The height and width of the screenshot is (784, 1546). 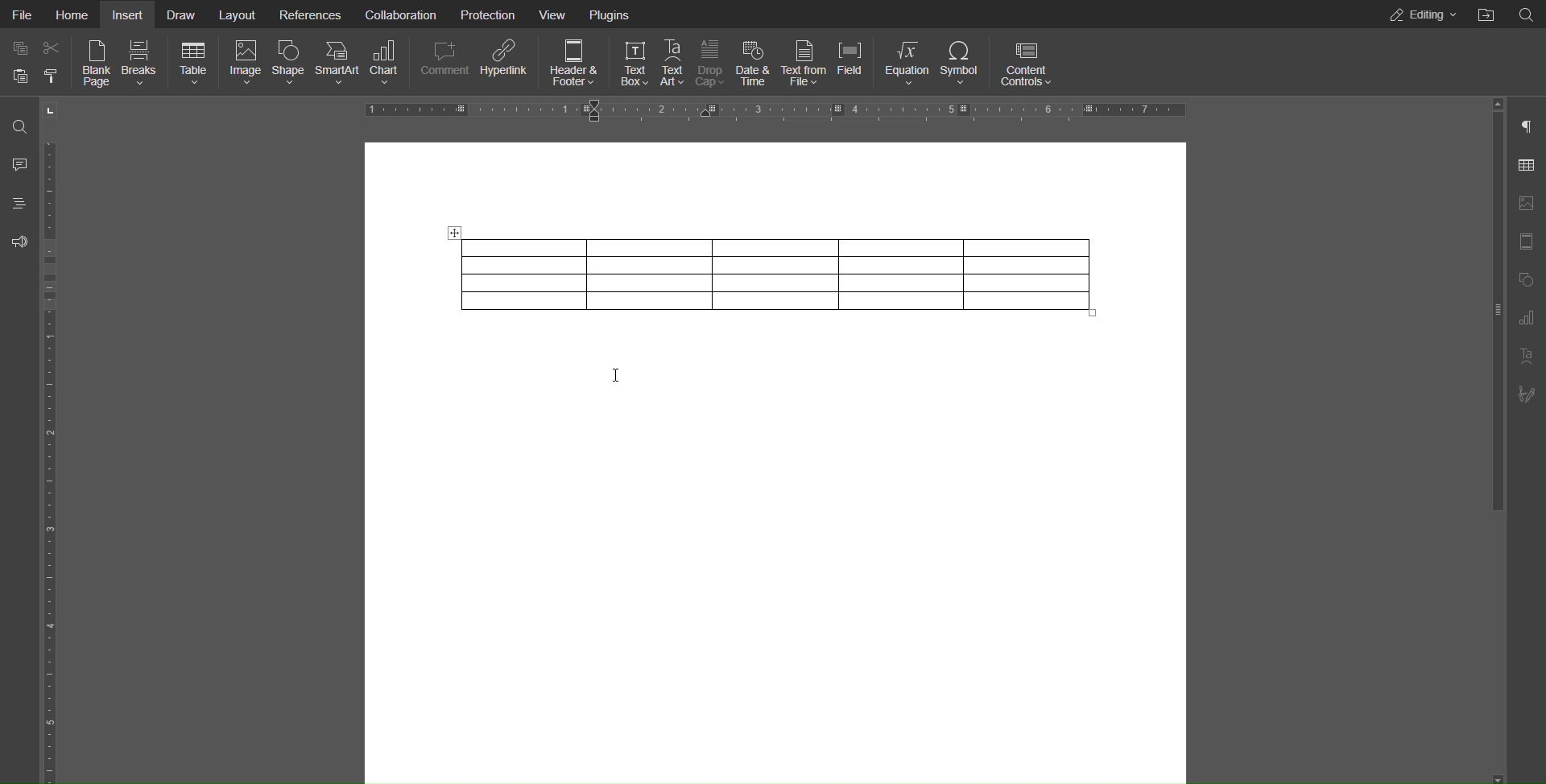 What do you see at coordinates (195, 64) in the screenshot?
I see `Table` at bounding box center [195, 64].